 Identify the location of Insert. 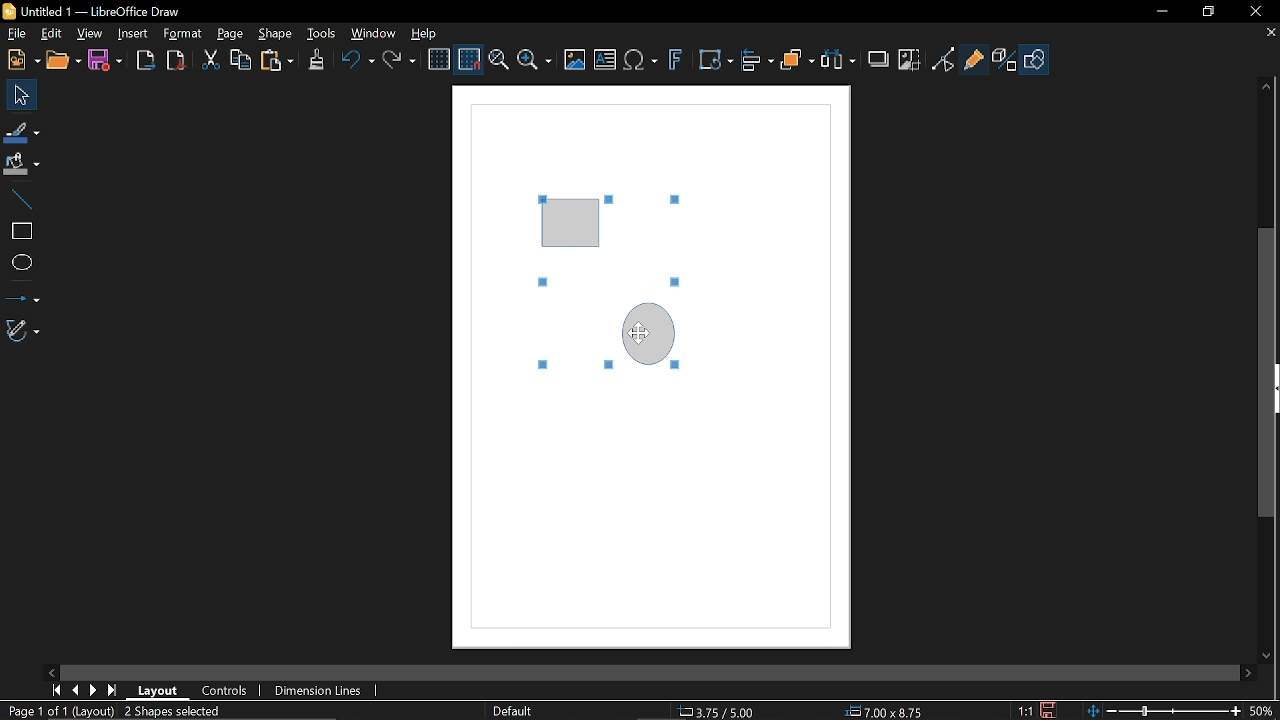
(132, 35).